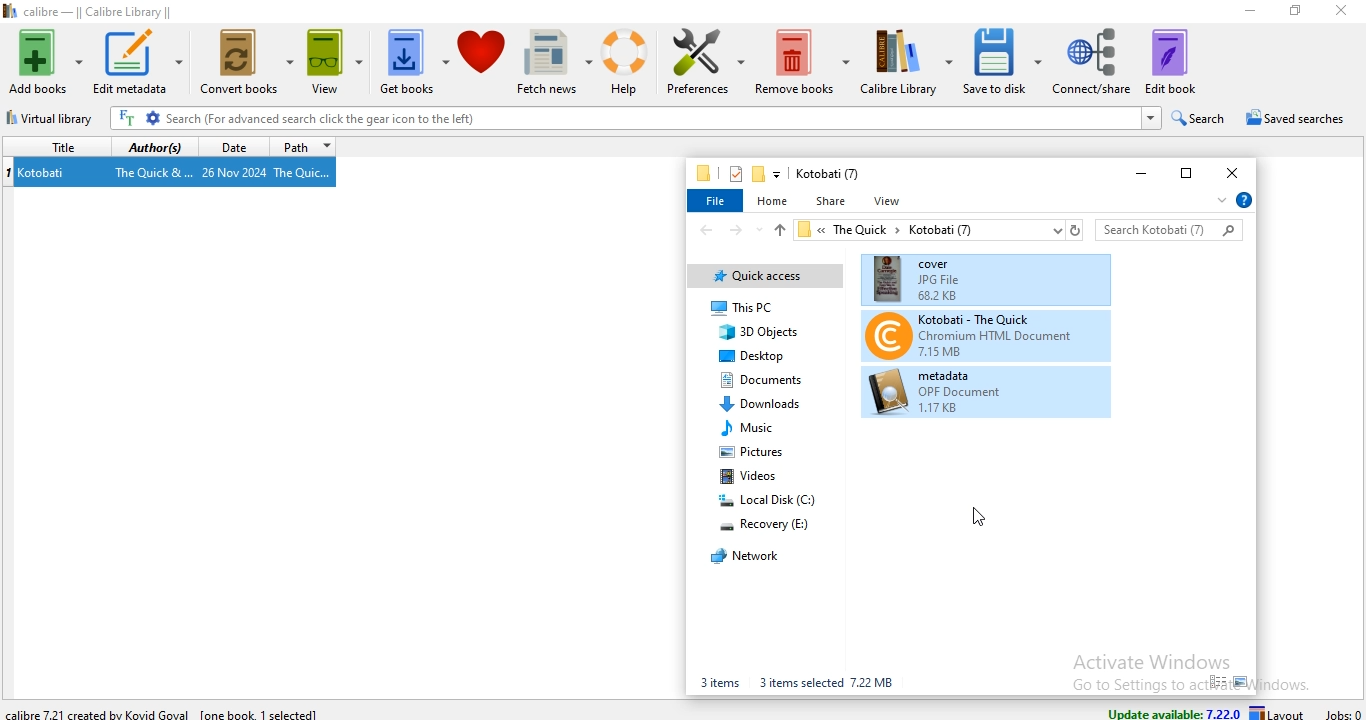 This screenshot has height=720, width=1366. What do you see at coordinates (1169, 228) in the screenshot?
I see `search bar` at bounding box center [1169, 228].